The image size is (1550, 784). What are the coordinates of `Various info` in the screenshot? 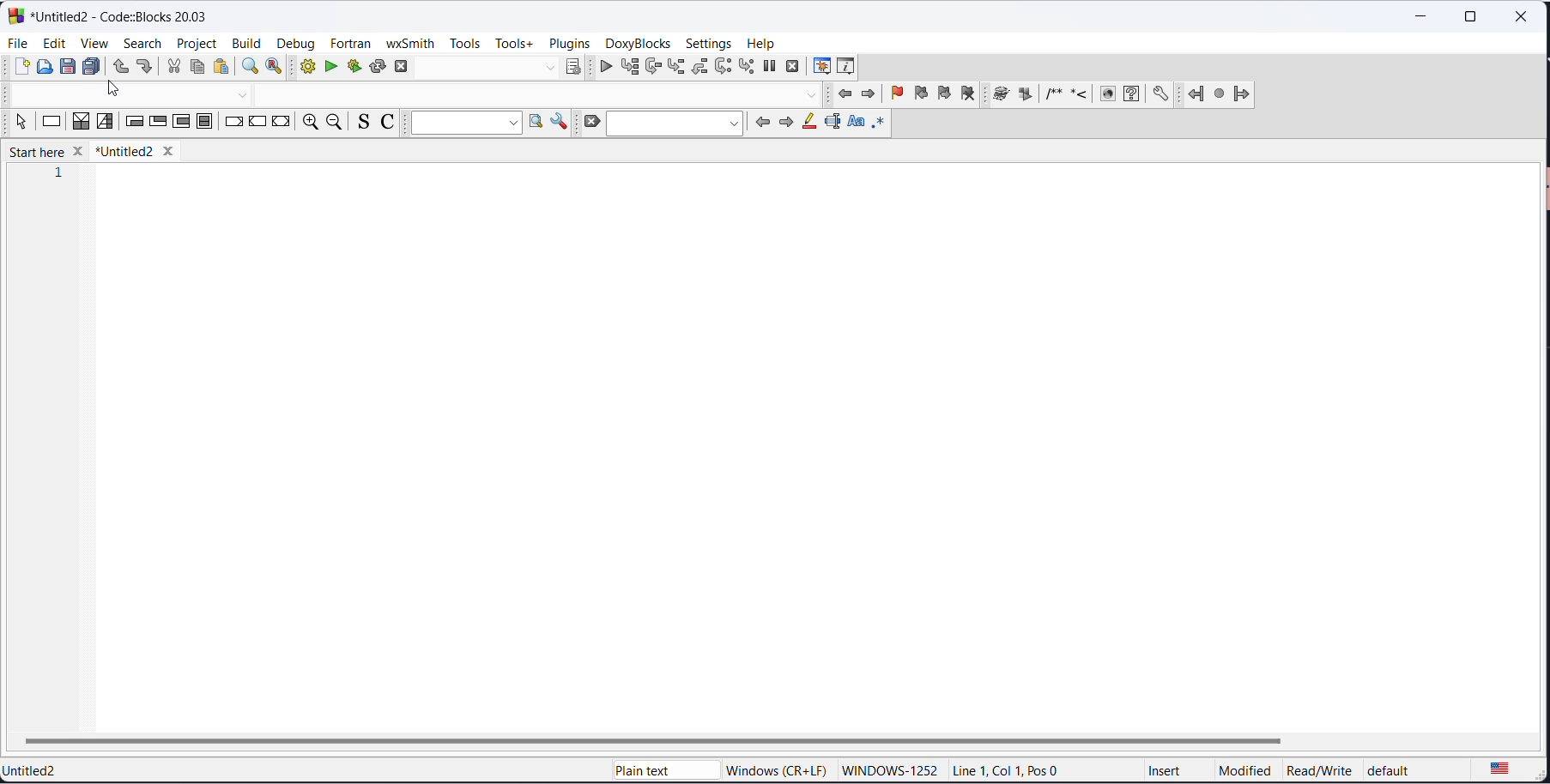 It's located at (851, 67).